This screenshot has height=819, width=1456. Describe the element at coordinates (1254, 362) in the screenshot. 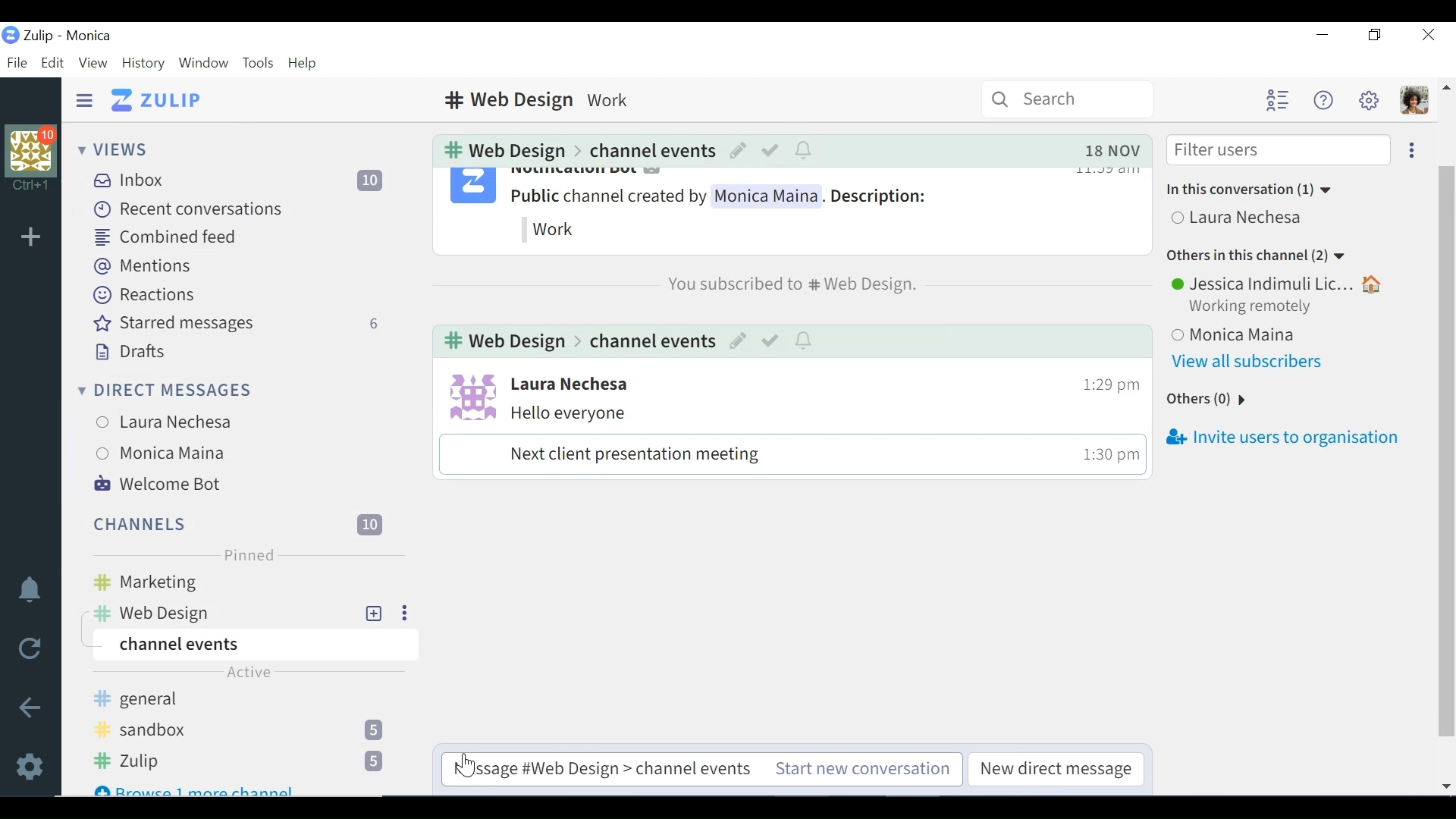

I see `View all subscribers` at that location.